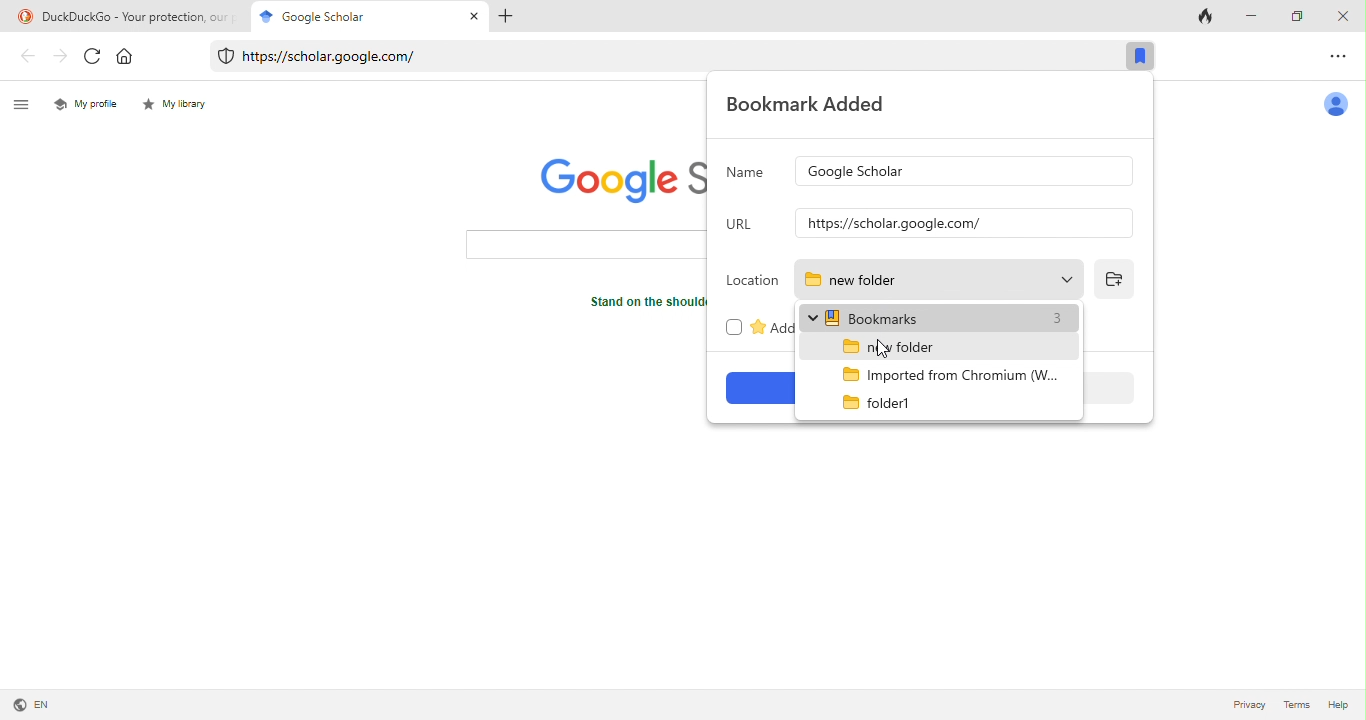 The height and width of the screenshot is (720, 1366). I want to click on forward, so click(62, 58).